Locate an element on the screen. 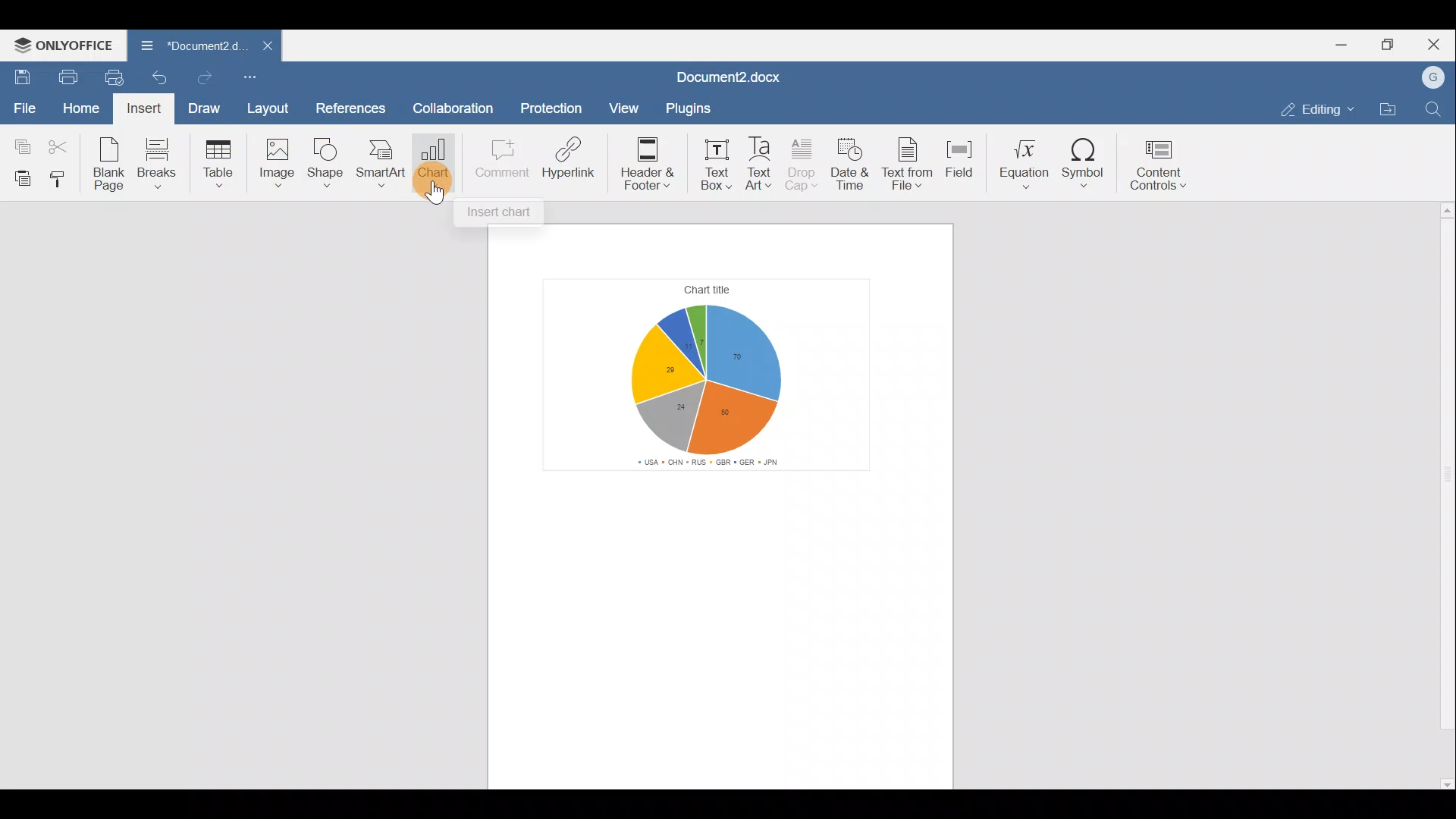  Copy is located at coordinates (19, 145).